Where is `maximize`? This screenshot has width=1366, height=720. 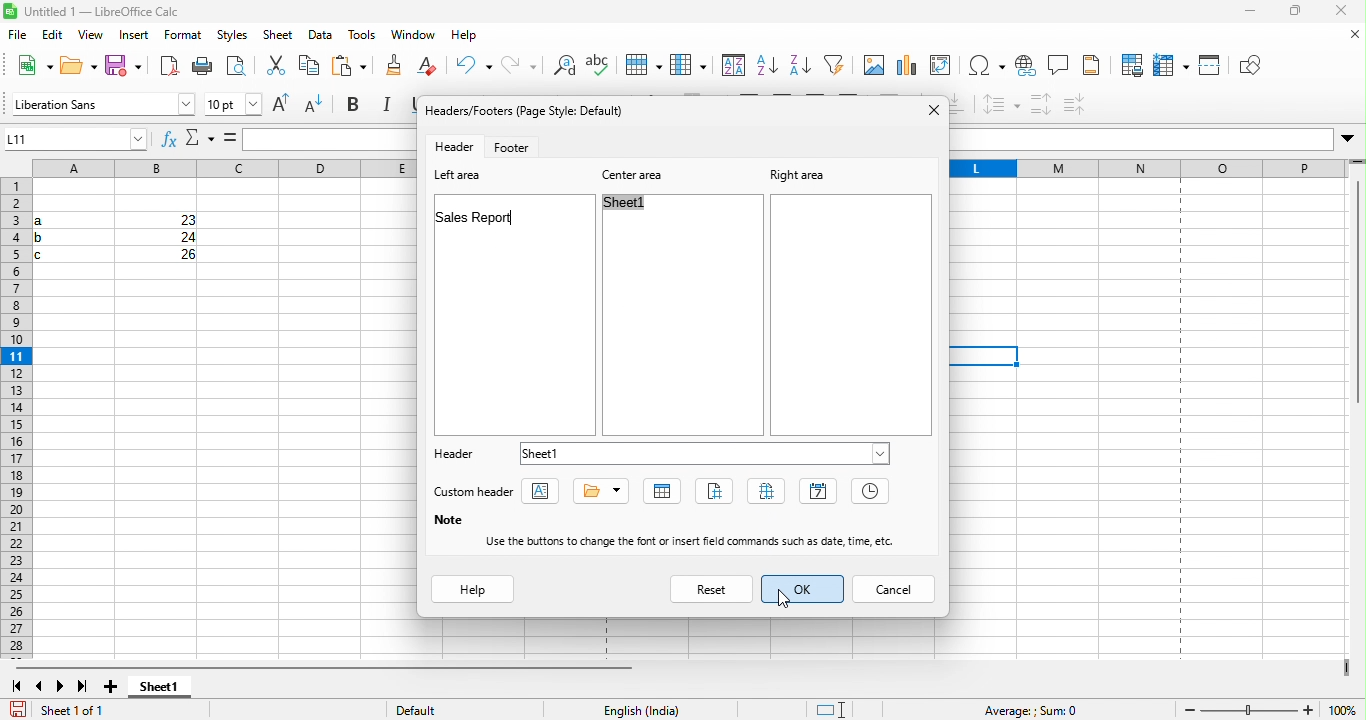 maximize is located at coordinates (1296, 13).